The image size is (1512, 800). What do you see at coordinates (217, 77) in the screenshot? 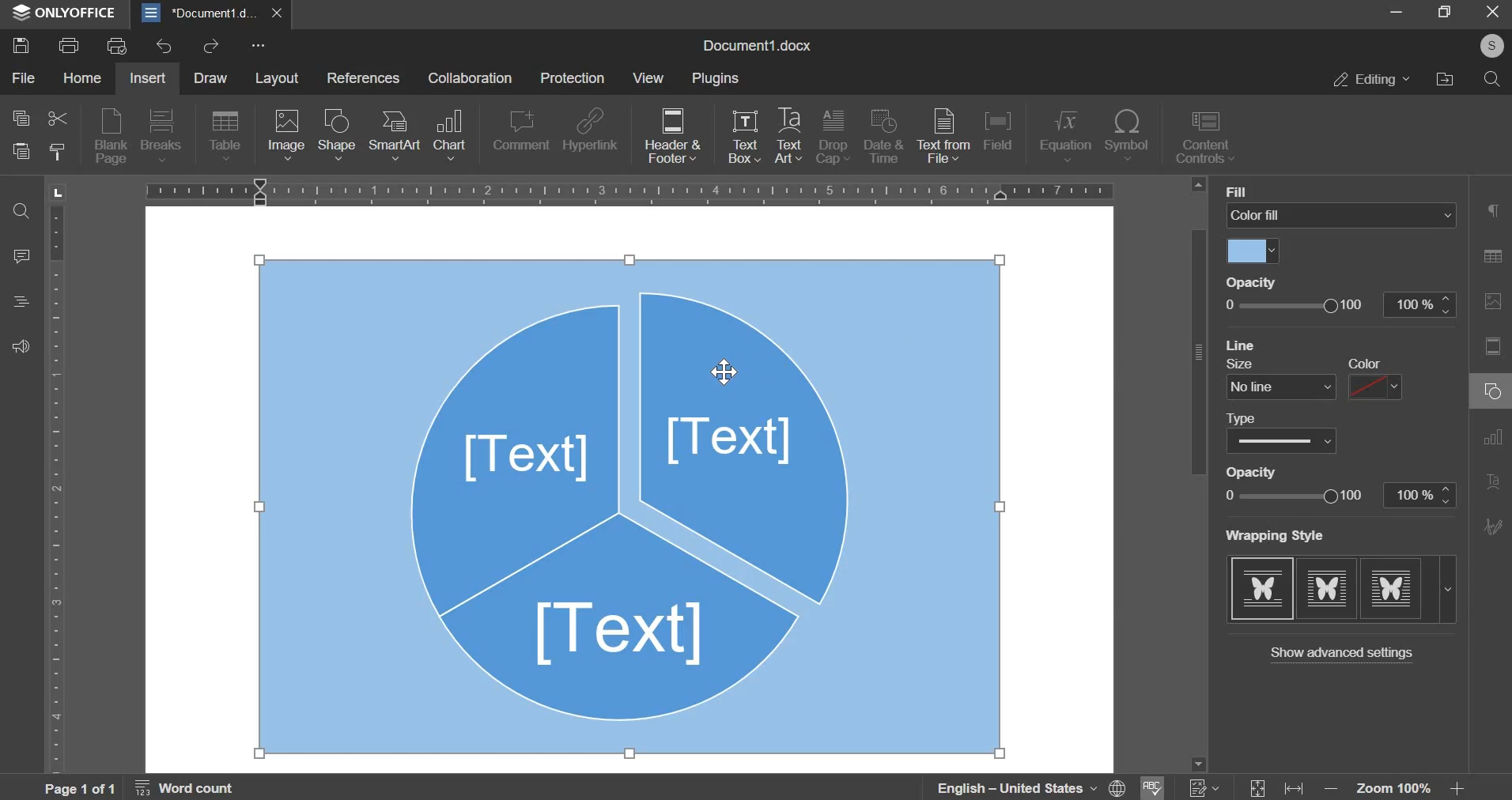
I see `draw` at bounding box center [217, 77].